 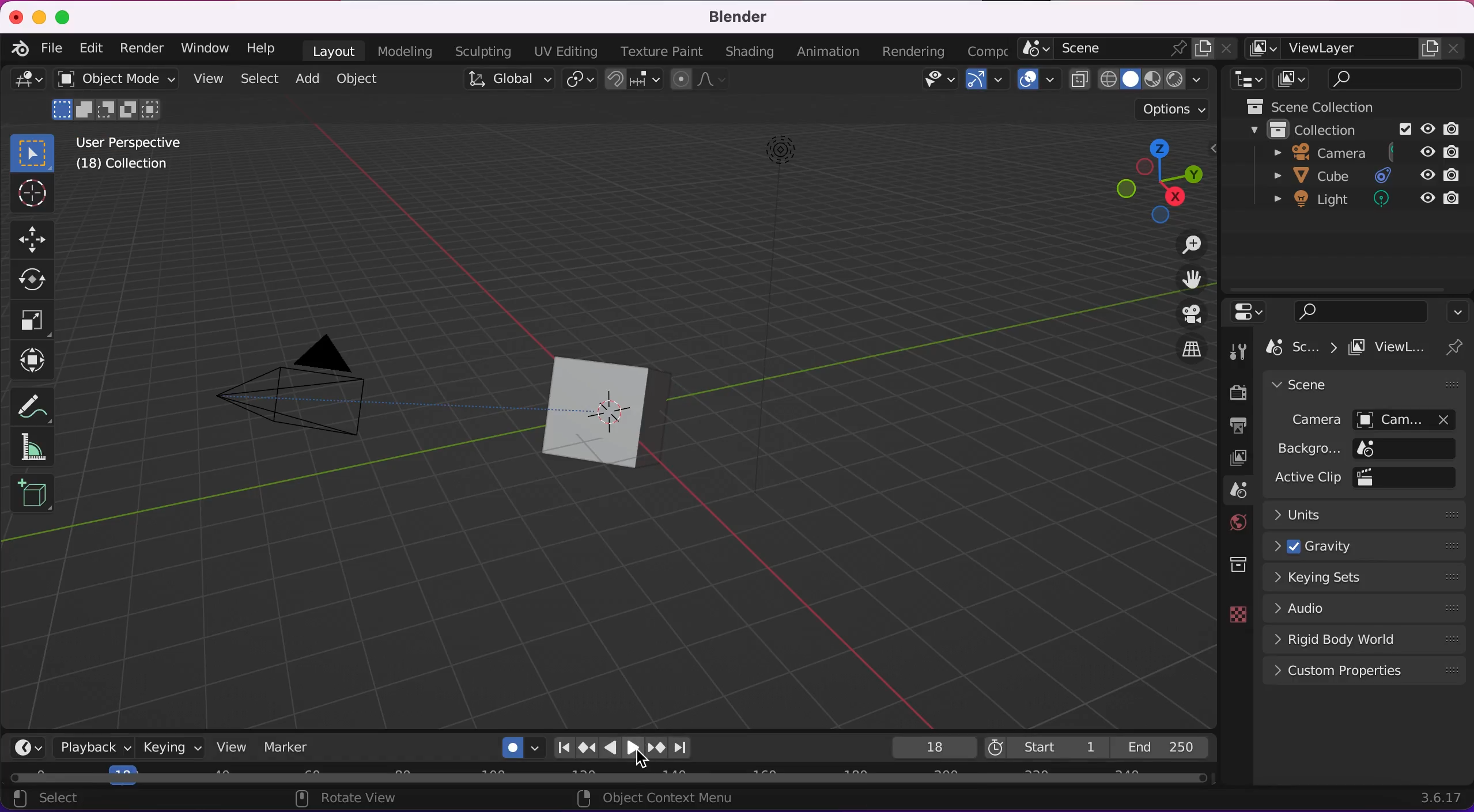 I want to click on horizontal scrollbar, so click(x=620, y=779).